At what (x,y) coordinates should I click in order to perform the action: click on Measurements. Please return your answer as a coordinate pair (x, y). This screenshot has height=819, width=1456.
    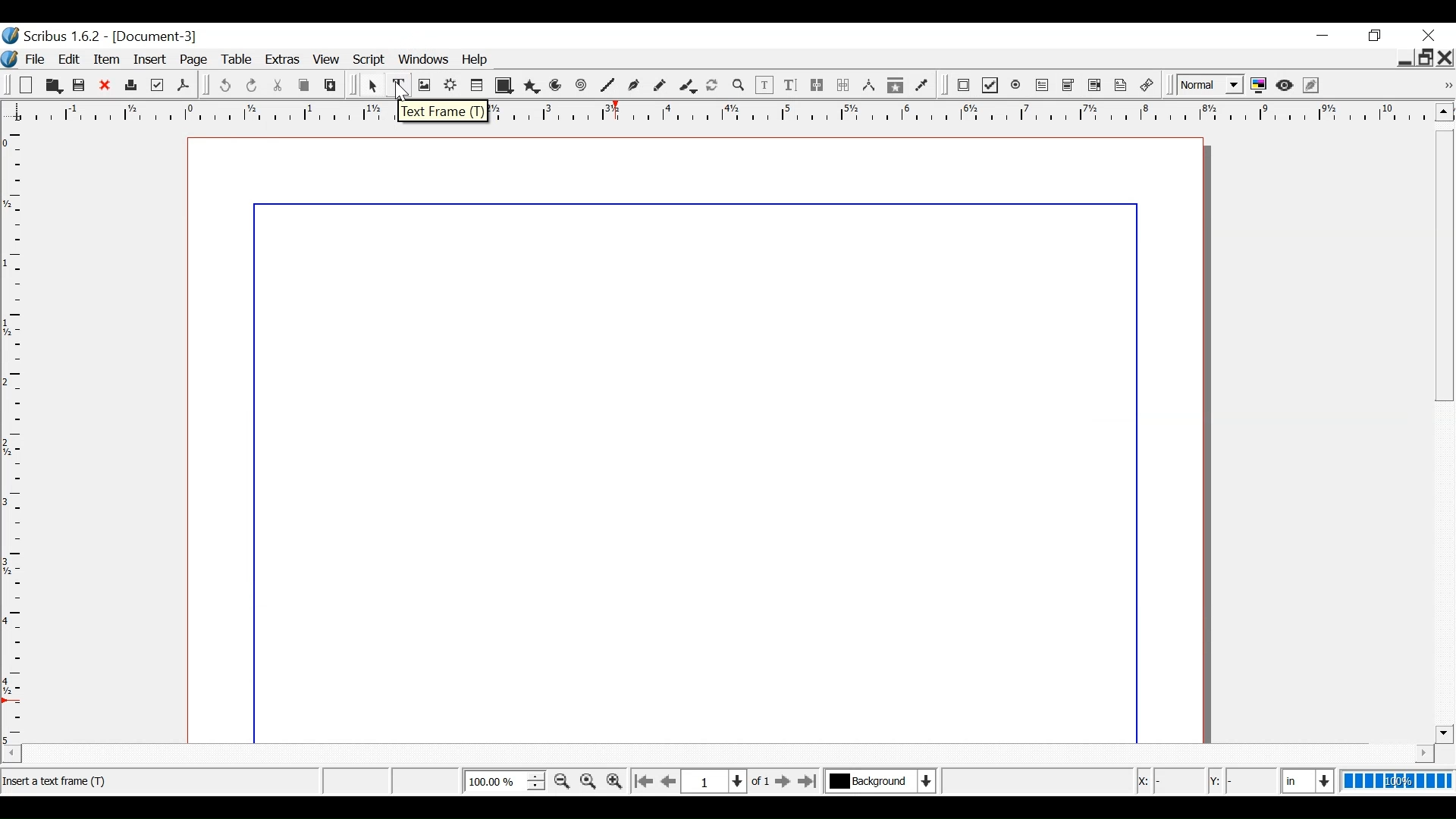
    Looking at the image, I should click on (868, 86).